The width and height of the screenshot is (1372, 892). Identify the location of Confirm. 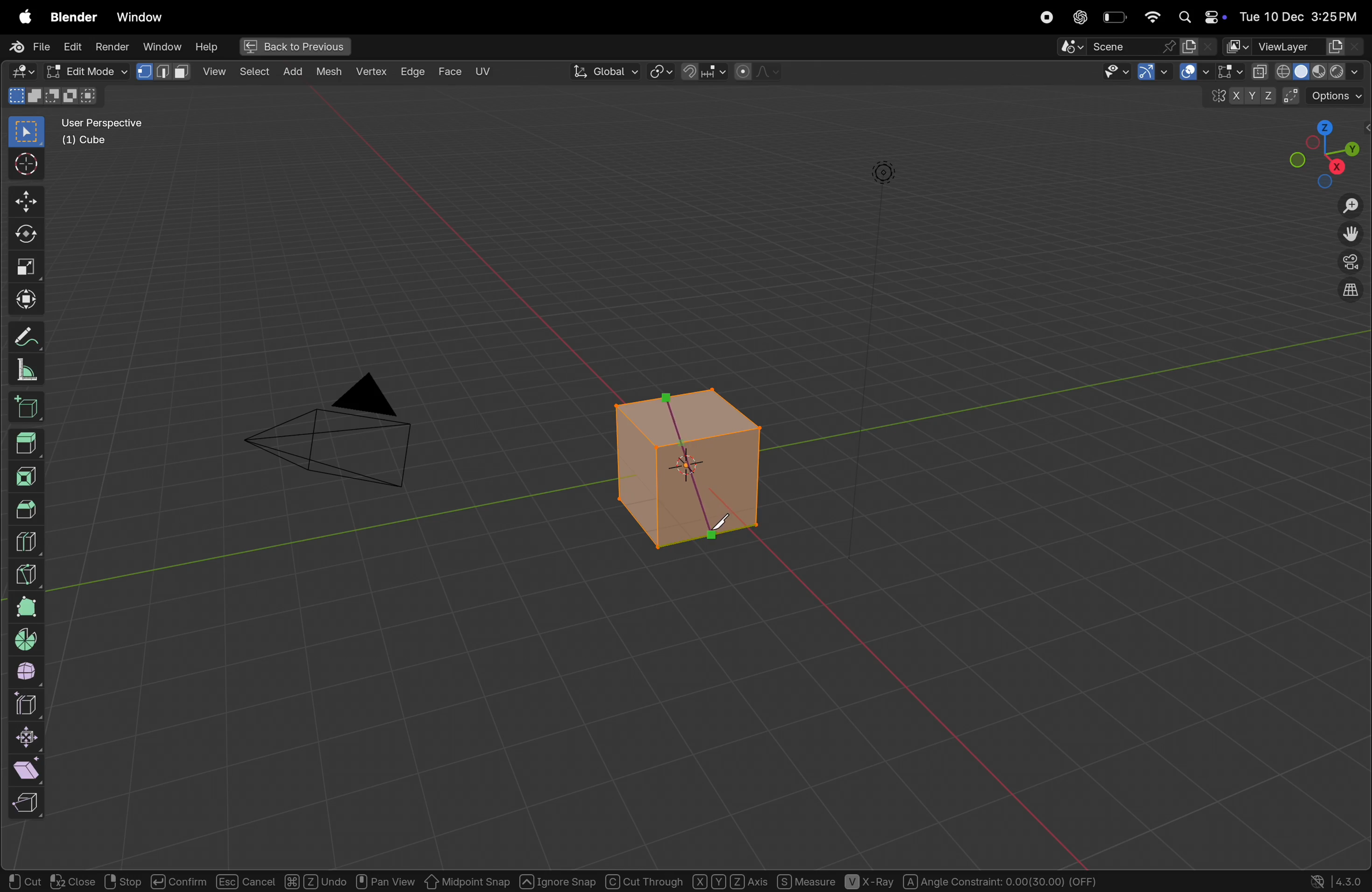
(177, 880).